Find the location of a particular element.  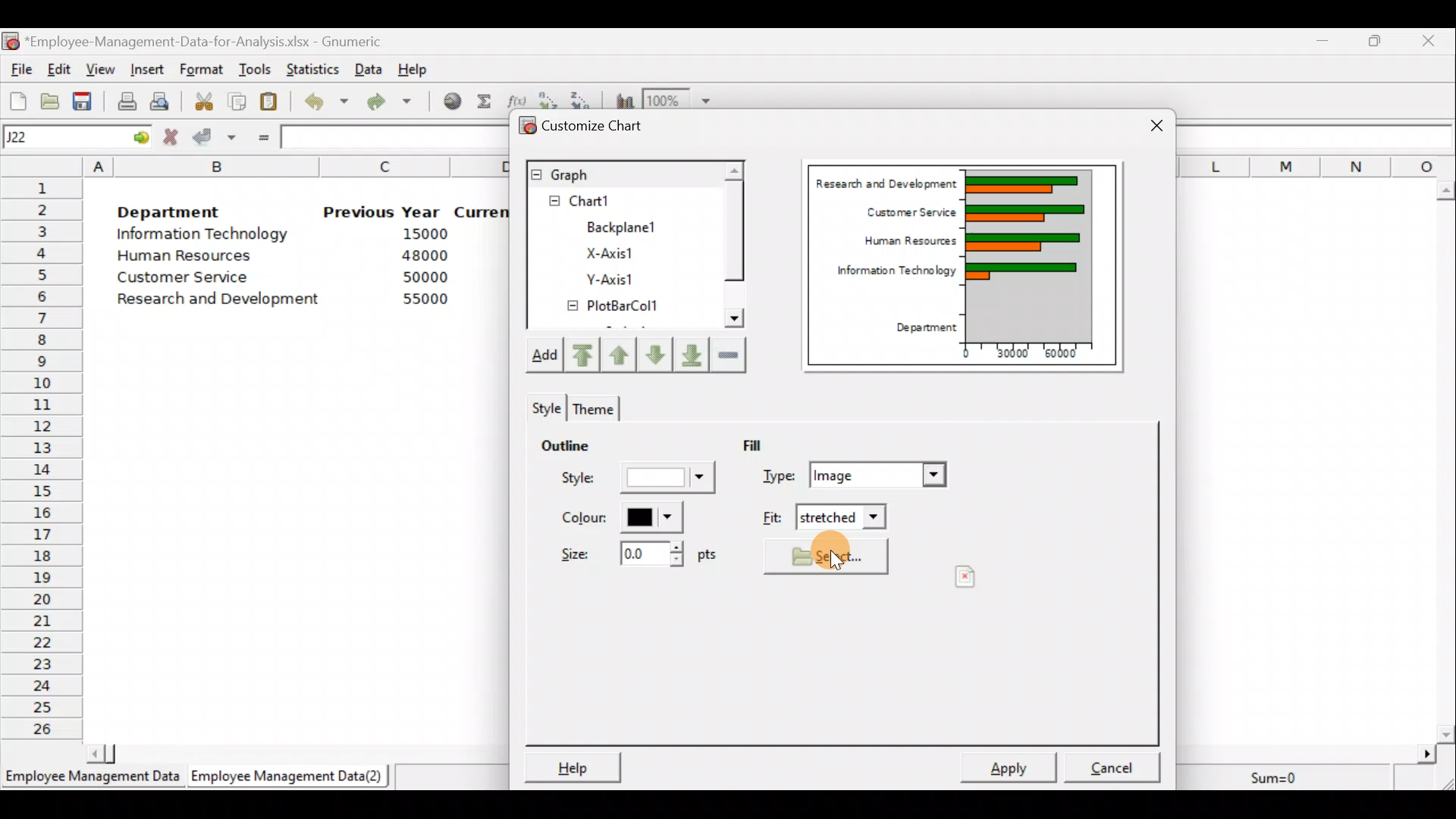

Cancel is located at coordinates (1112, 764).